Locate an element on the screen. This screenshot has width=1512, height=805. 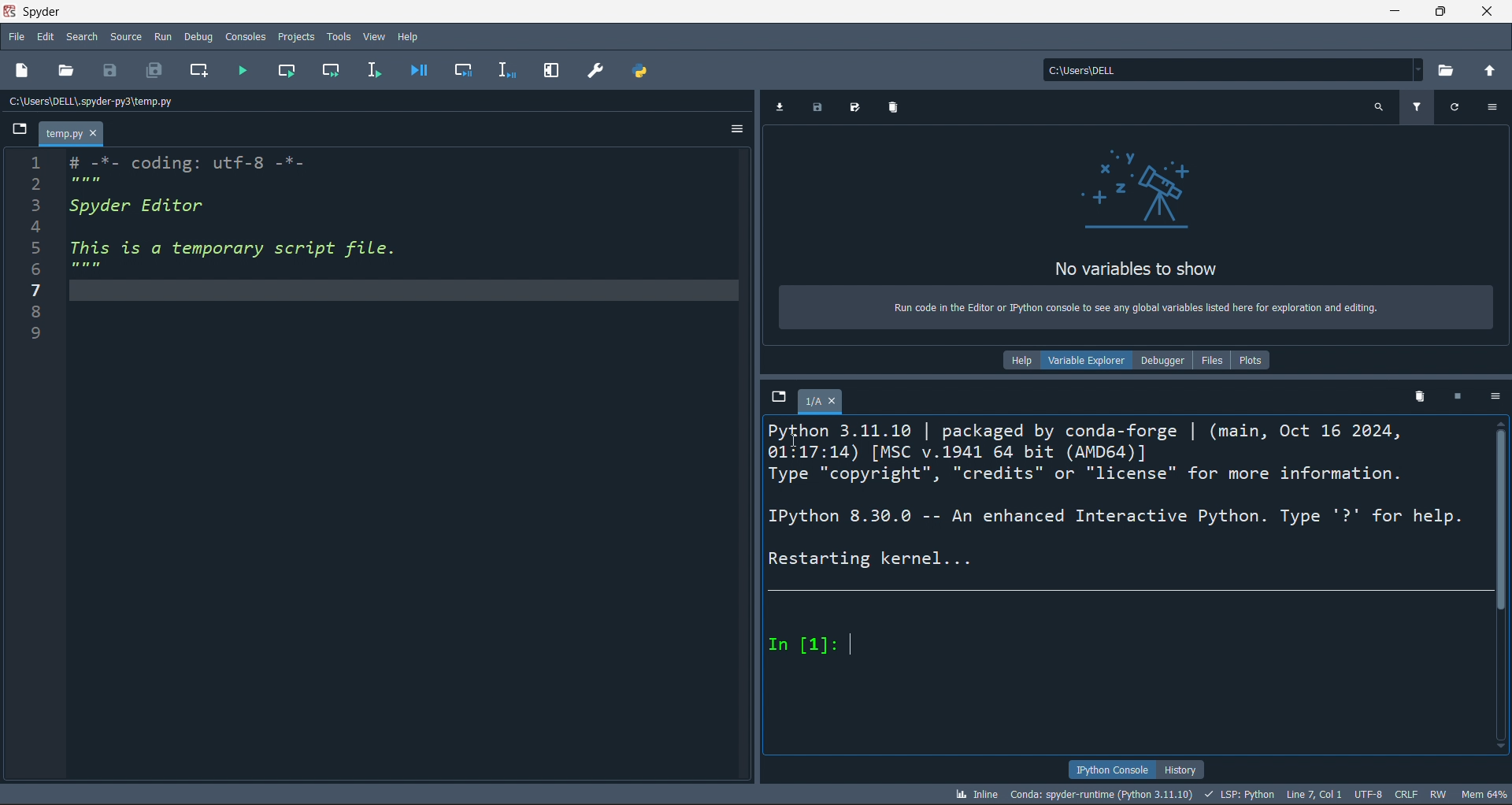
c:\users\dell is located at coordinates (1233, 67).